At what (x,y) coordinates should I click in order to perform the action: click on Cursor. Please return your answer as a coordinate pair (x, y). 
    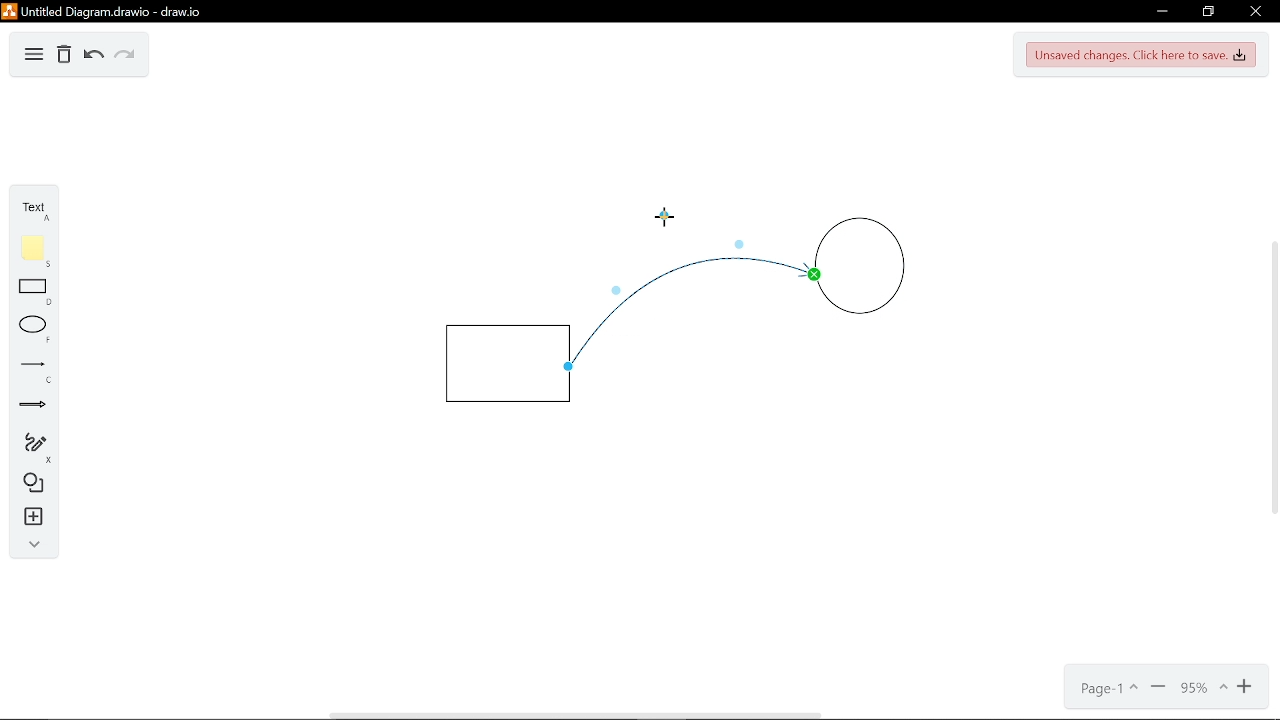
    Looking at the image, I should click on (664, 214).